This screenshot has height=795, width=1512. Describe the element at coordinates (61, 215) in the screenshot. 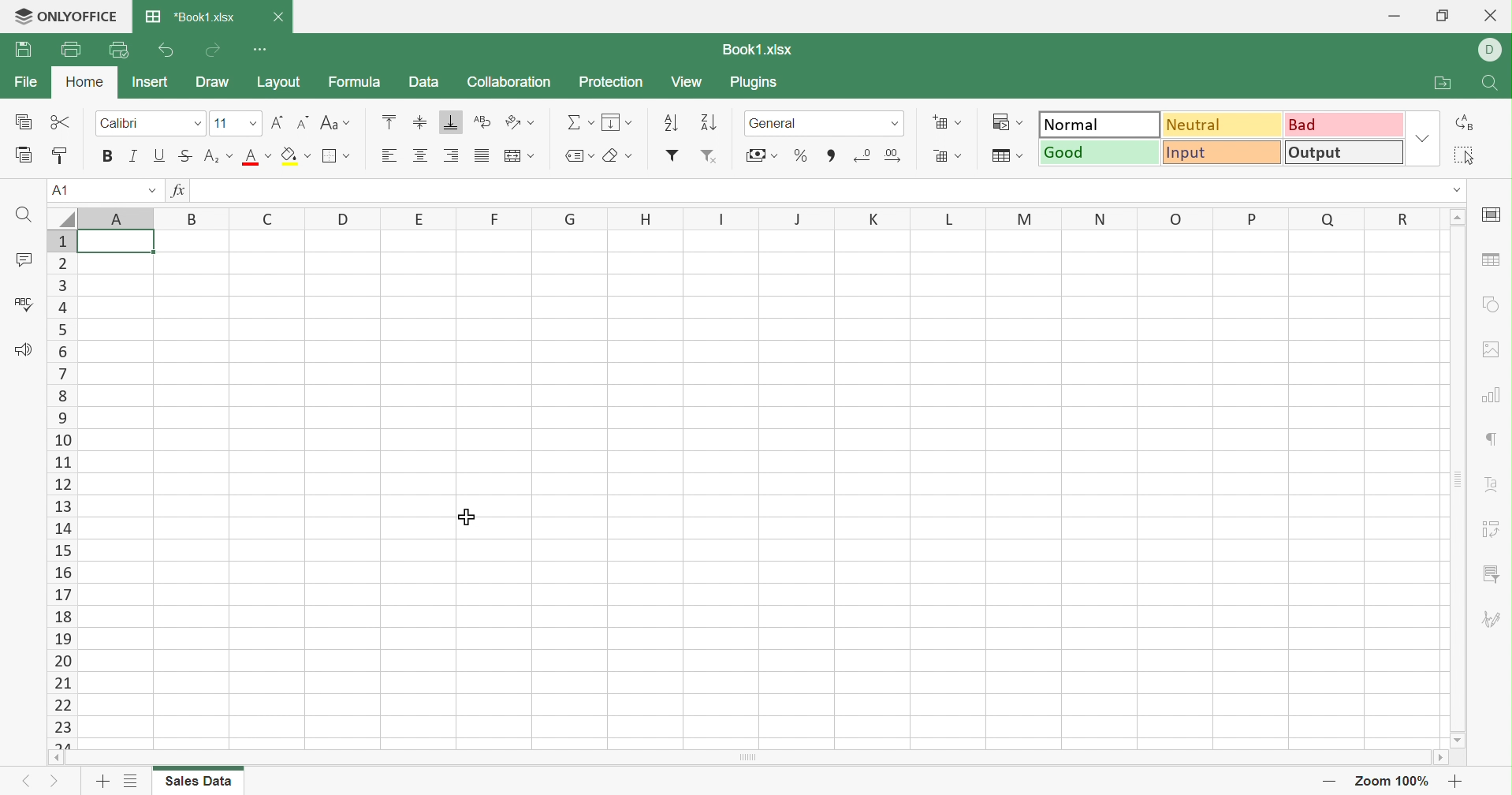

I see `Select all rows and colums` at that location.